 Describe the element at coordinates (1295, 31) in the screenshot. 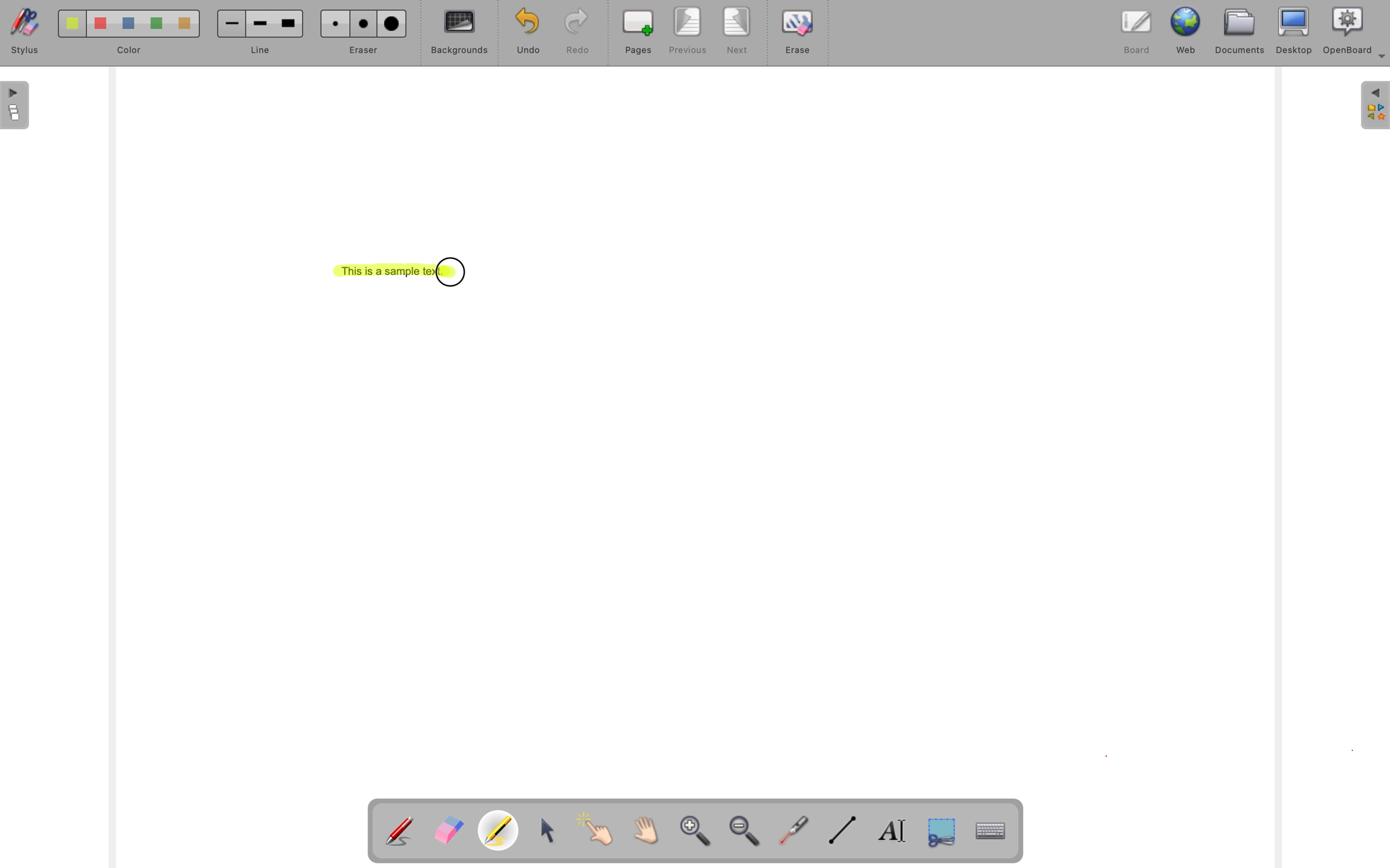

I see `desktop` at that location.